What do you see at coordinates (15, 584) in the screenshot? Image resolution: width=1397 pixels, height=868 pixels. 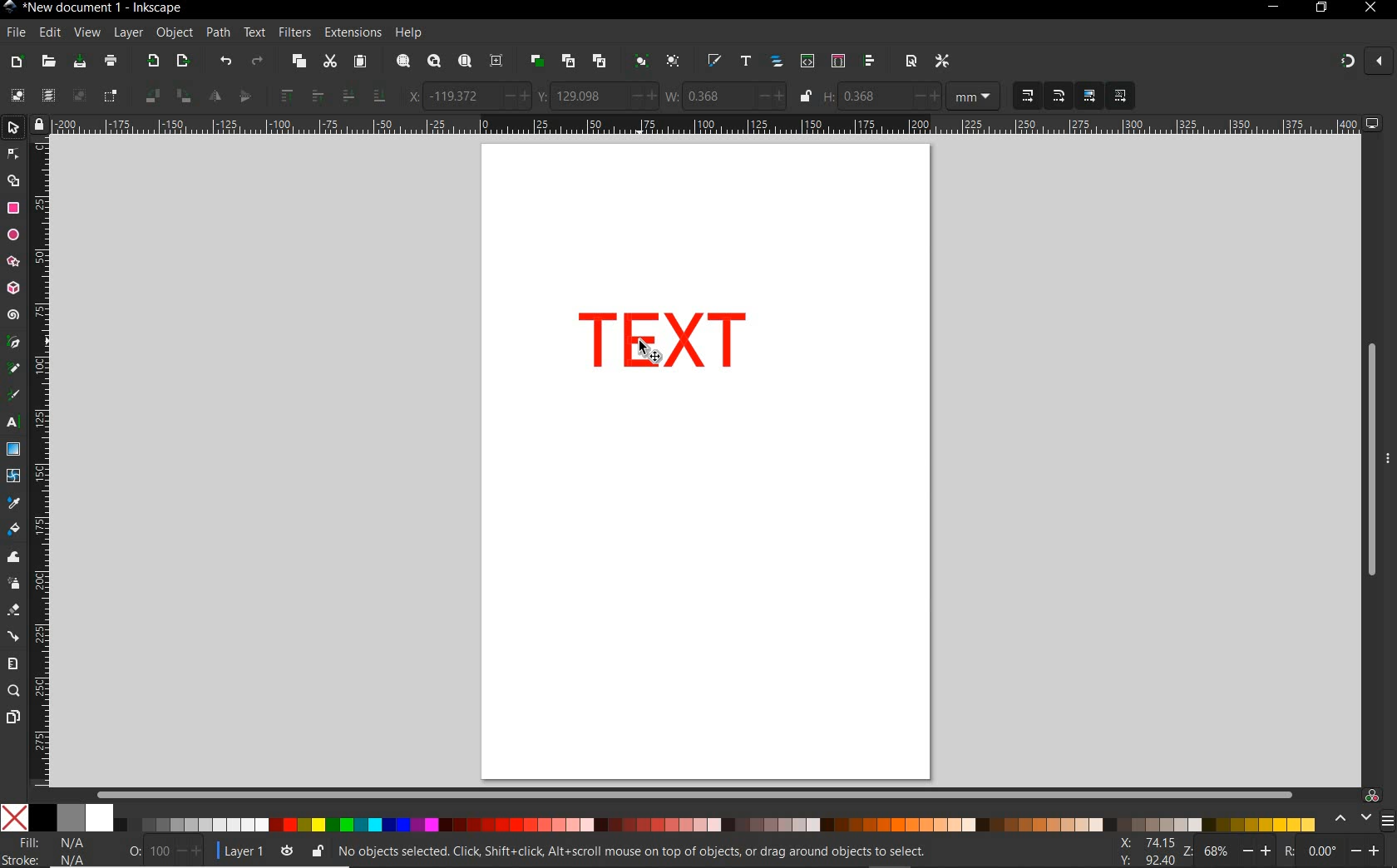 I see `SPRAY TOOL` at bounding box center [15, 584].